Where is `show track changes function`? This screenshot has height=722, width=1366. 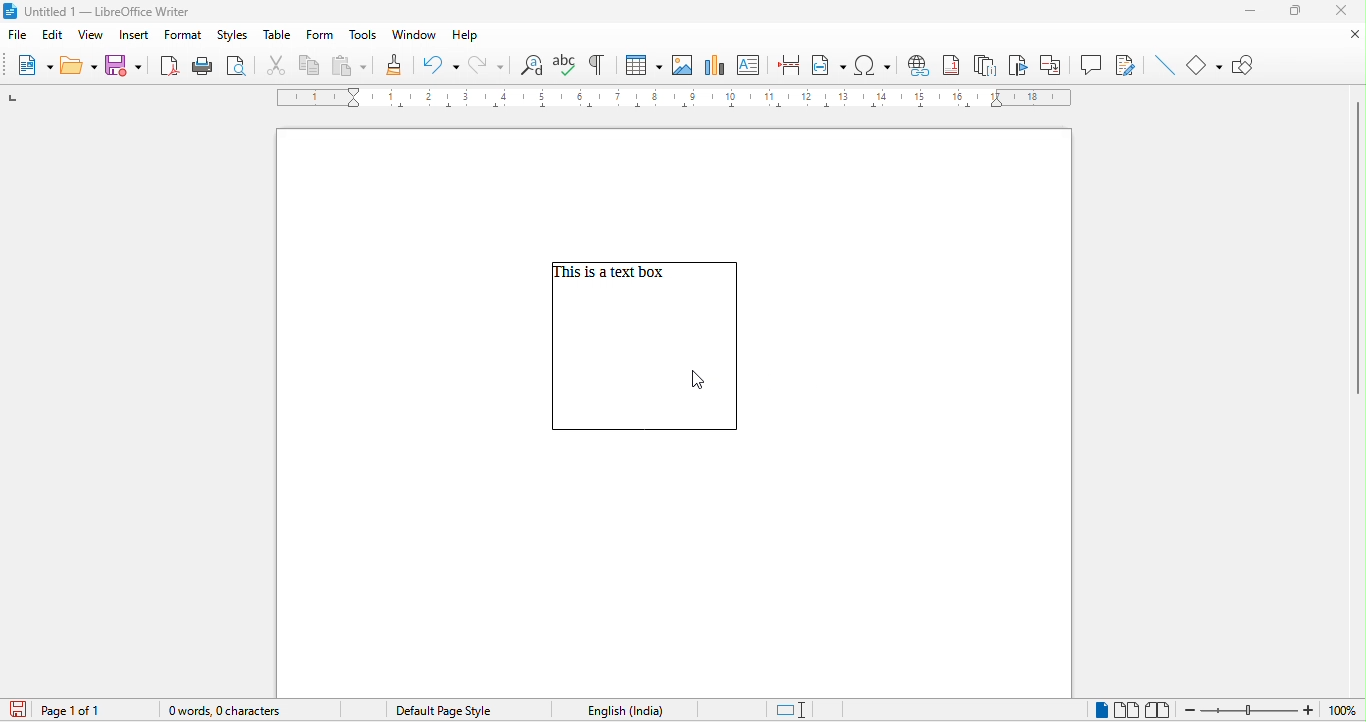
show track changes function is located at coordinates (1125, 64).